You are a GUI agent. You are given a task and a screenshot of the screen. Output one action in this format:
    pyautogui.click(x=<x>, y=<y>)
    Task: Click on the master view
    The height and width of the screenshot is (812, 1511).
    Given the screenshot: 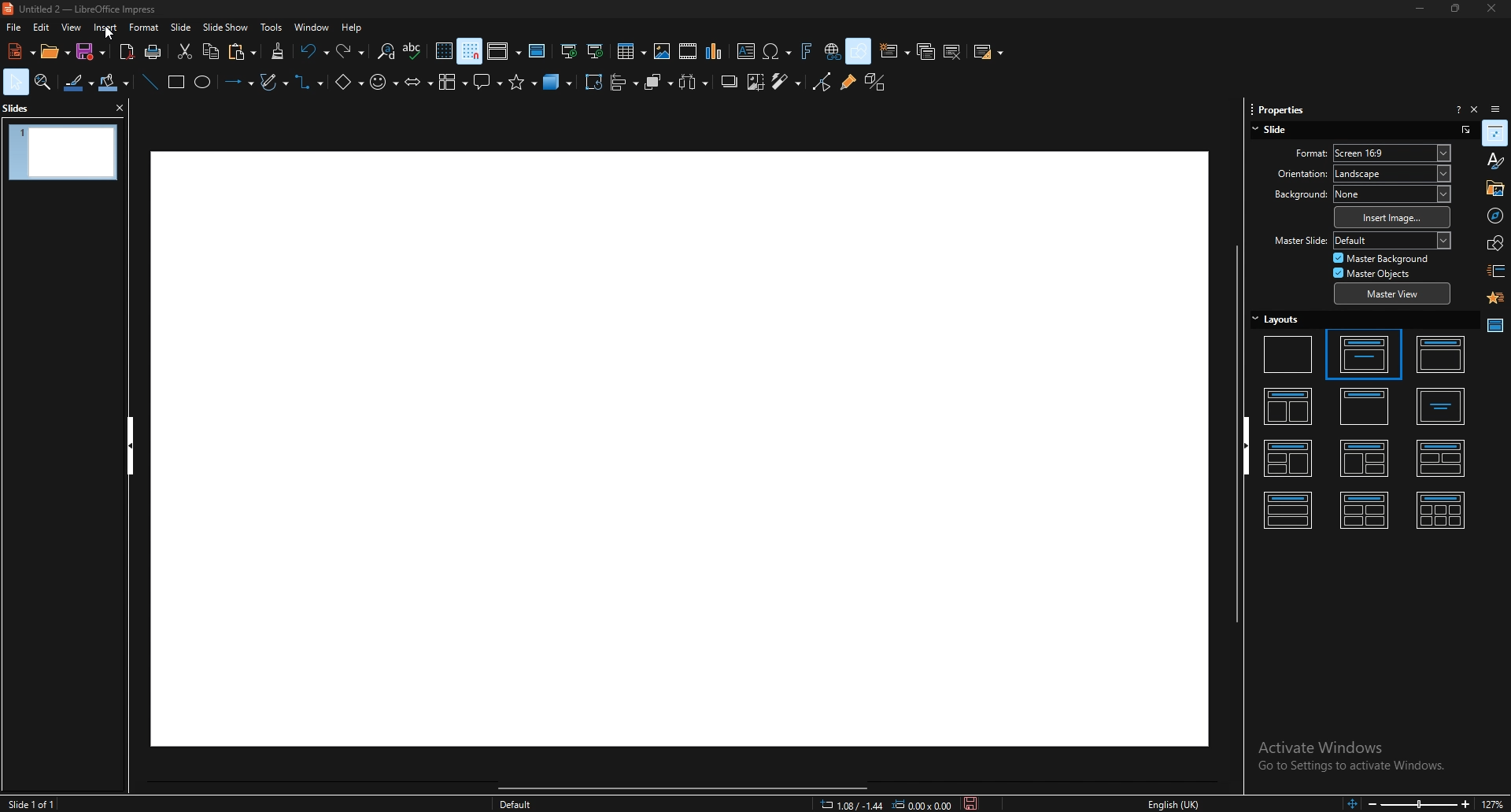 What is the action you would take?
    pyautogui.click(x=1392, y=293)
    